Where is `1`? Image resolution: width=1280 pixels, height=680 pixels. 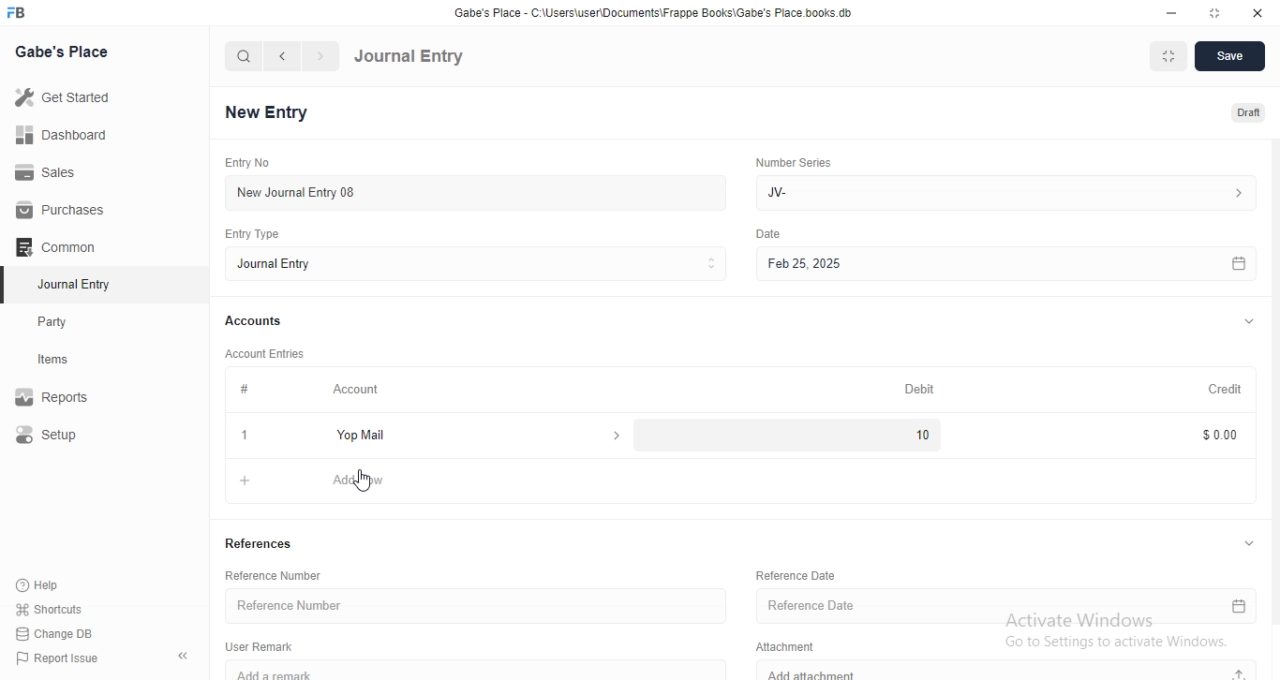 1 is located at coordinates (245, 435).